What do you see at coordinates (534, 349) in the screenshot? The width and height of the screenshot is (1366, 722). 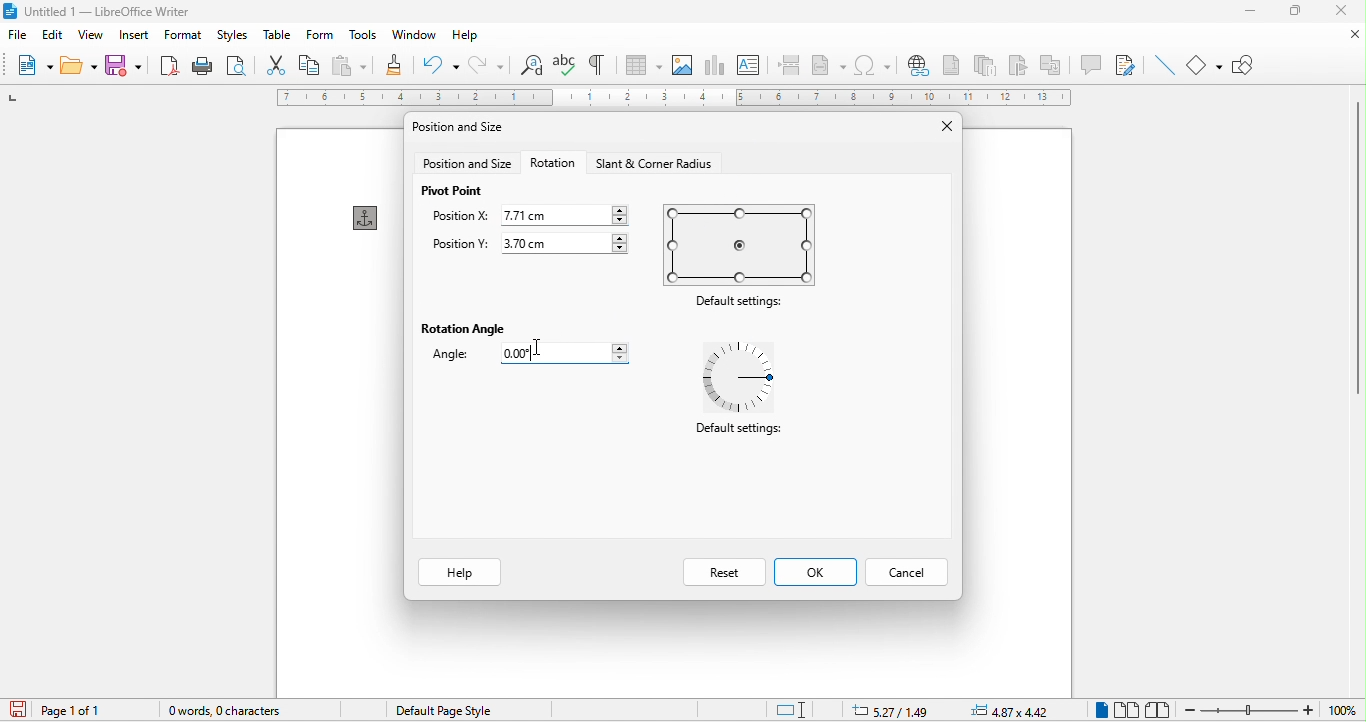 I see `Cursor` at bounding box center [534, 349].